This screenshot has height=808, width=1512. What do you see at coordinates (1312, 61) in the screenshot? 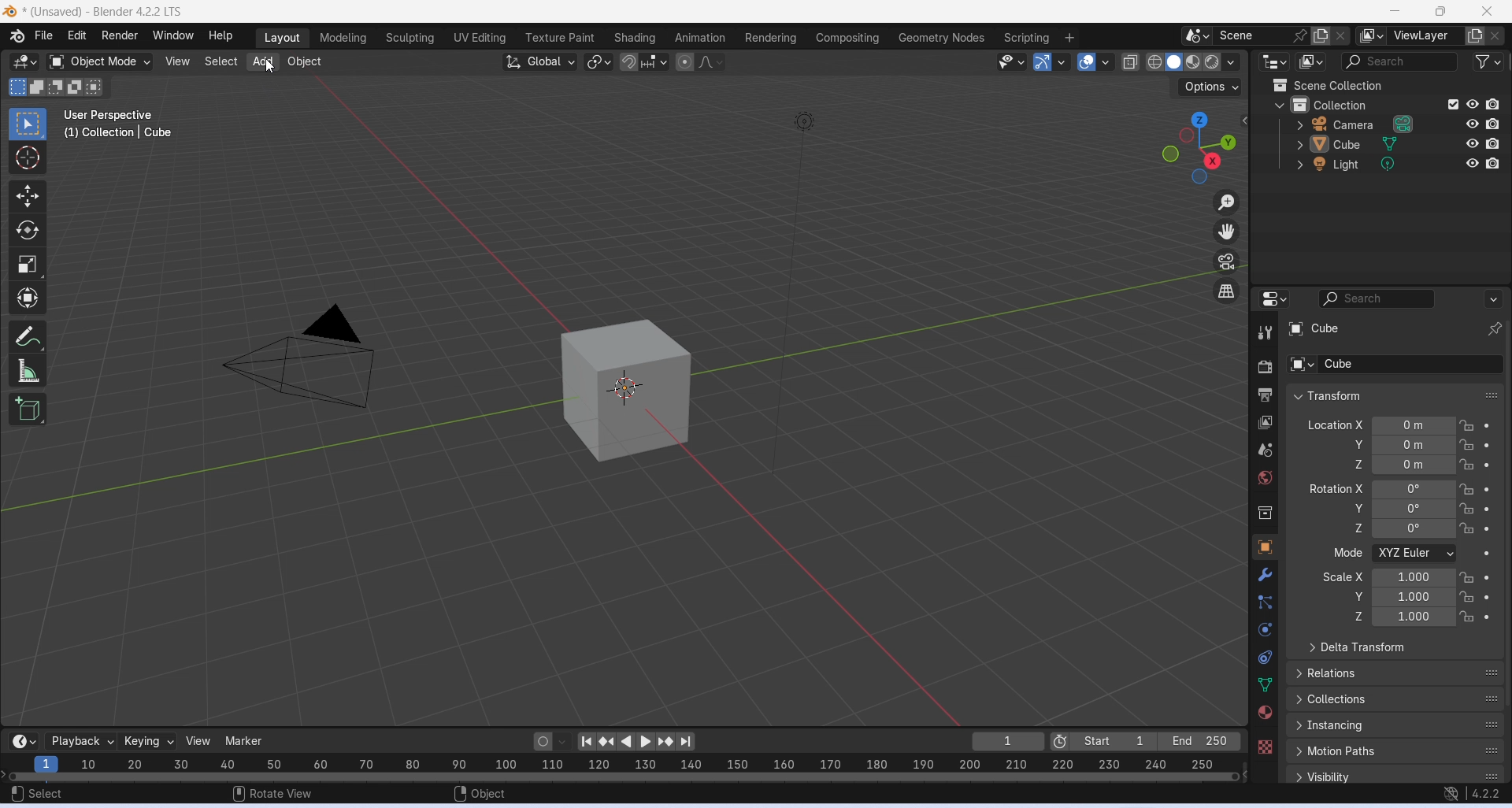
I see `display mode` at bounding box center [1312, 61].